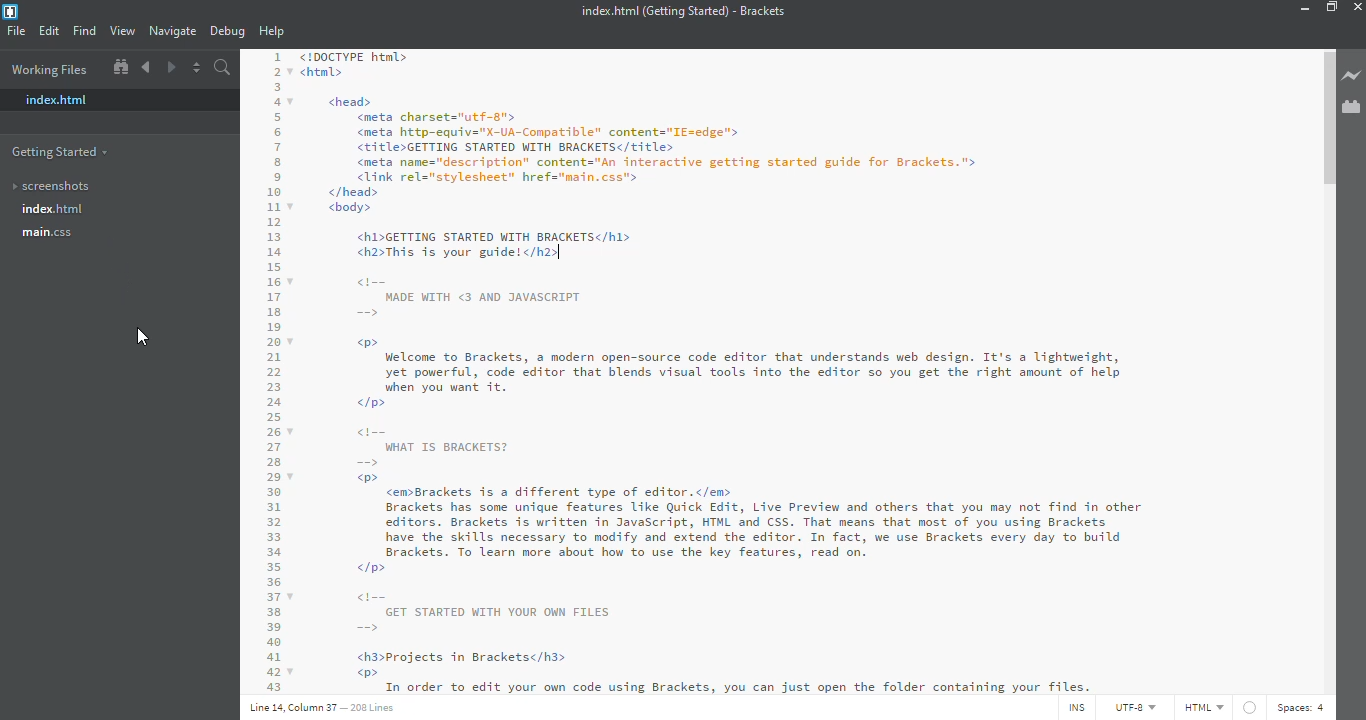 Image resolution: width=1366 pixels, height=720 pixels. Describe the element at coordinates (1362, 8) in the screenshot. I see `close` at that location.